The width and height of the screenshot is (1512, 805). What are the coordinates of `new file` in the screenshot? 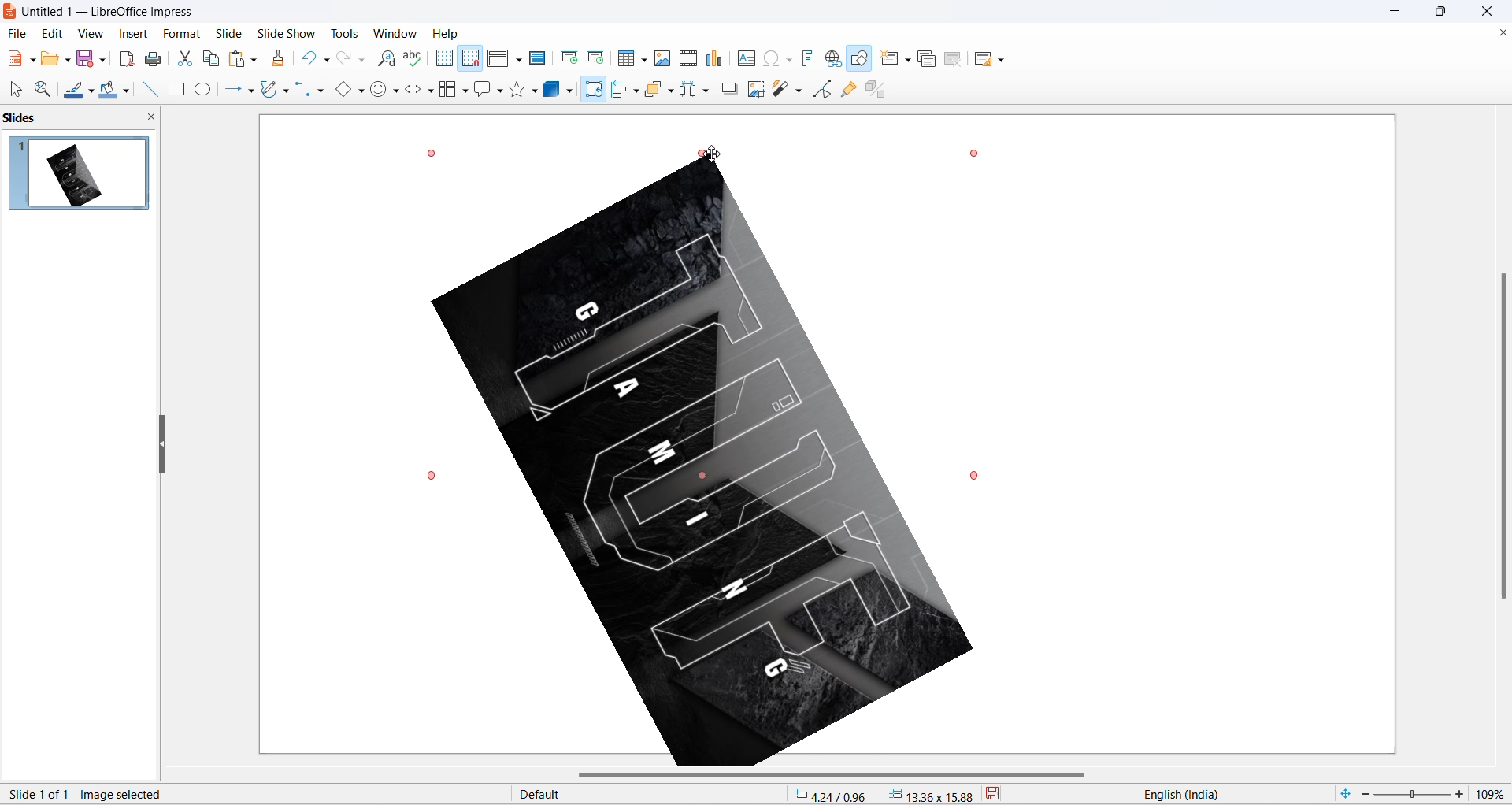 It's located at (15, 59).